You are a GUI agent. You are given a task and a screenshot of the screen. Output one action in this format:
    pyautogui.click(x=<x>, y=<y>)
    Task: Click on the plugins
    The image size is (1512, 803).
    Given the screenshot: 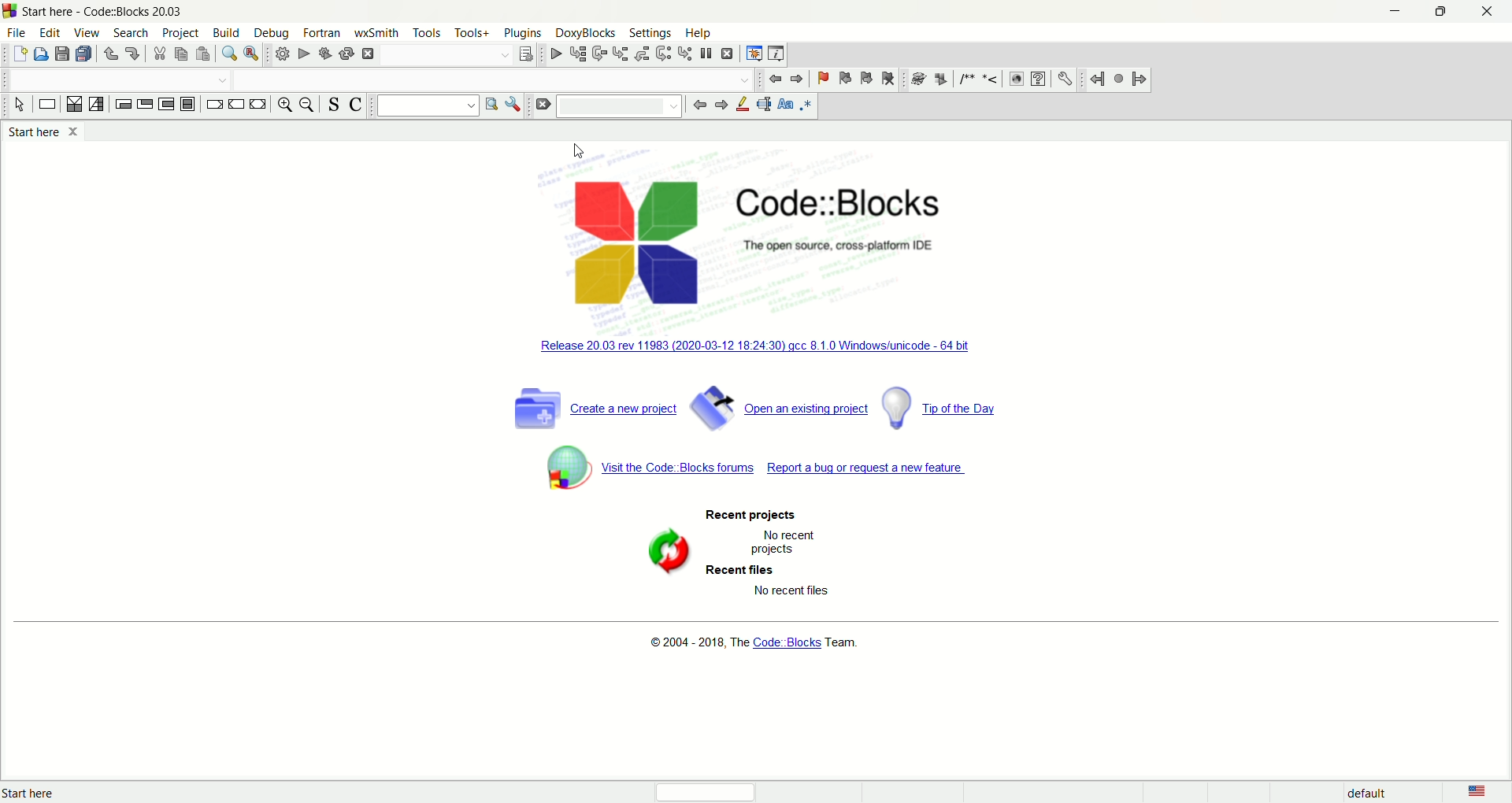 What is the action you would take?
    pyautogui.click(x=525, y=33)
    